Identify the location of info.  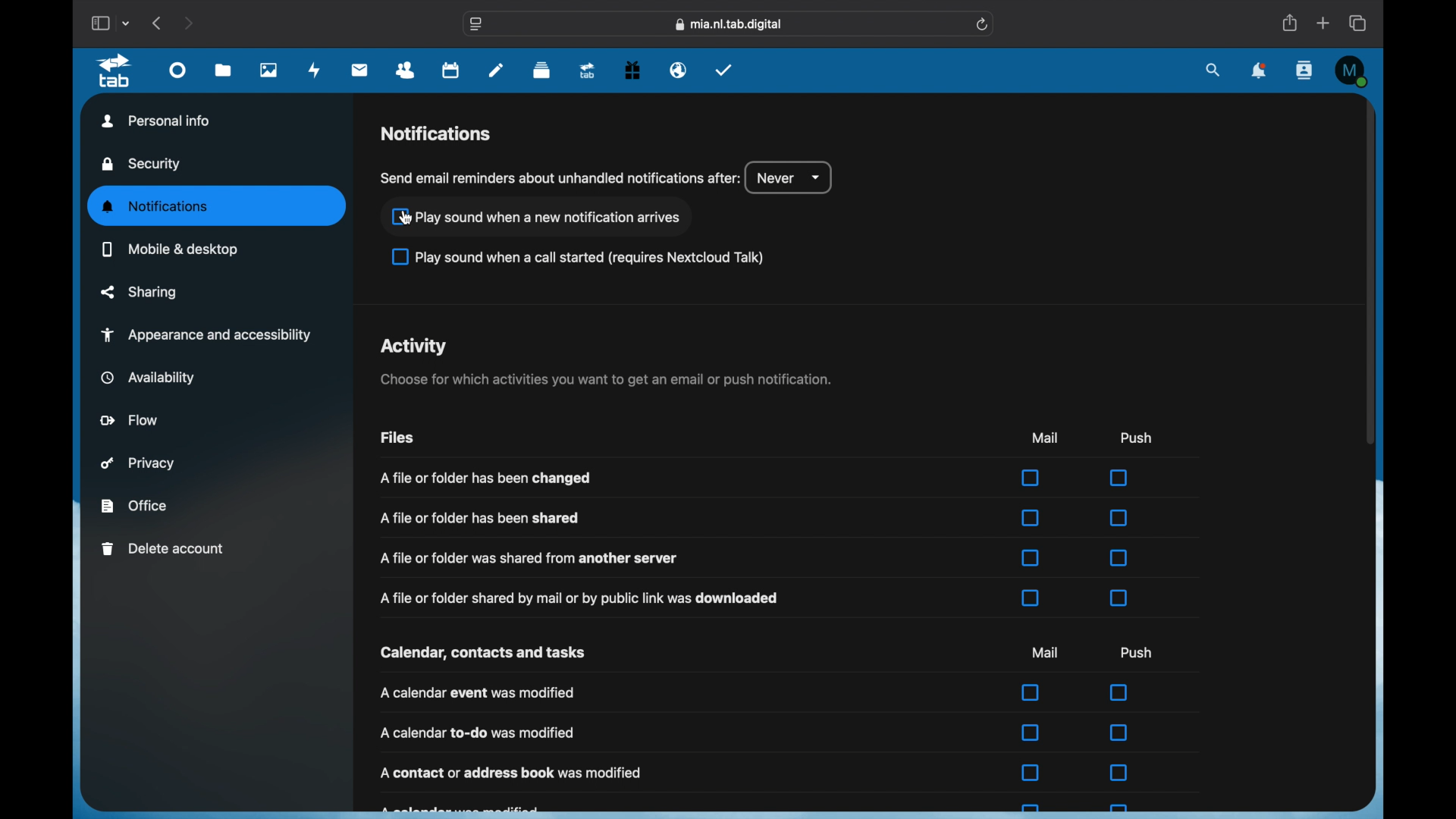
(479, 519).